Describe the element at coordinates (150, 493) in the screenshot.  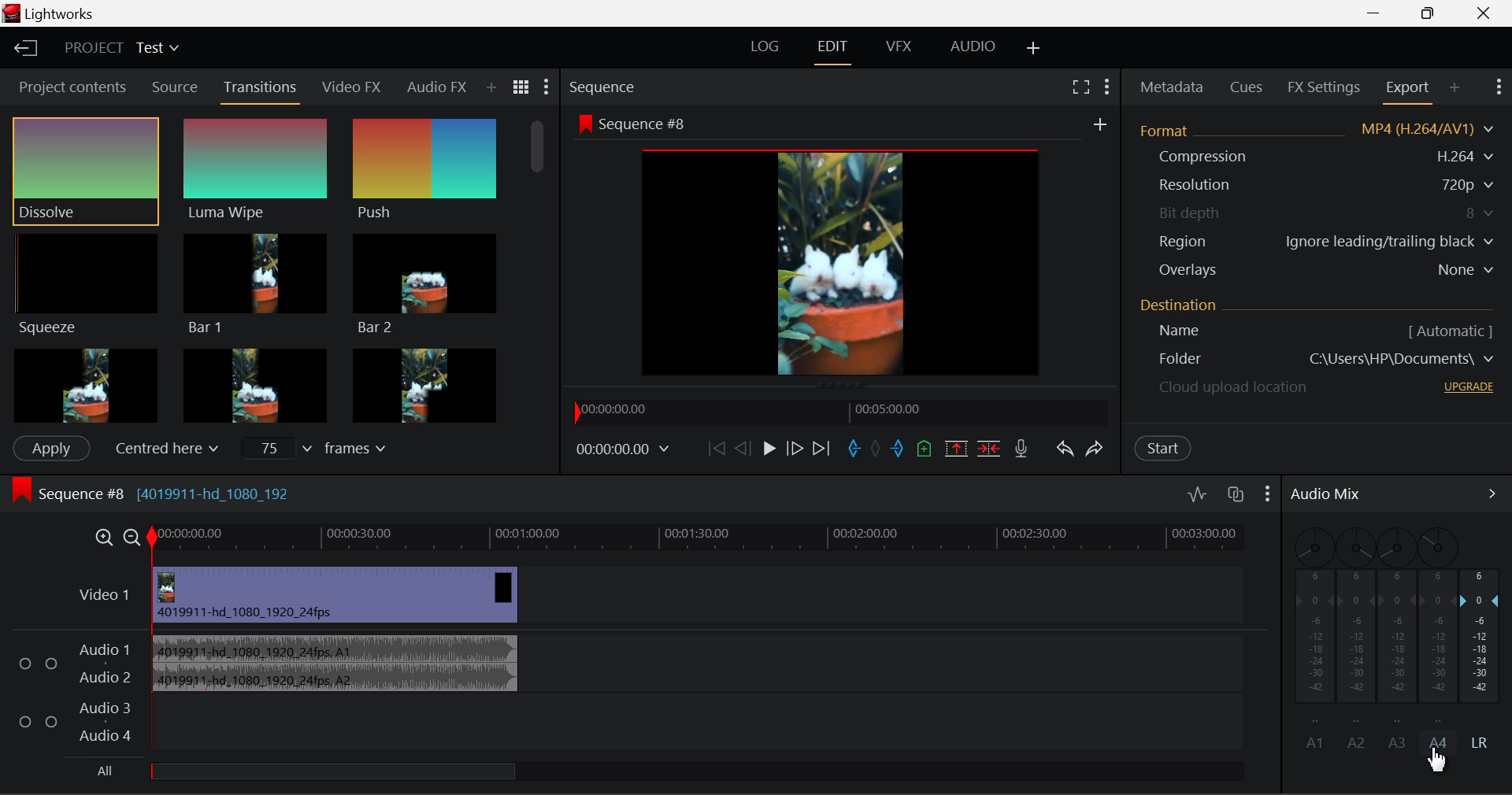
I see `Sequence #8 [4019911-hd_1080_192` at that location.